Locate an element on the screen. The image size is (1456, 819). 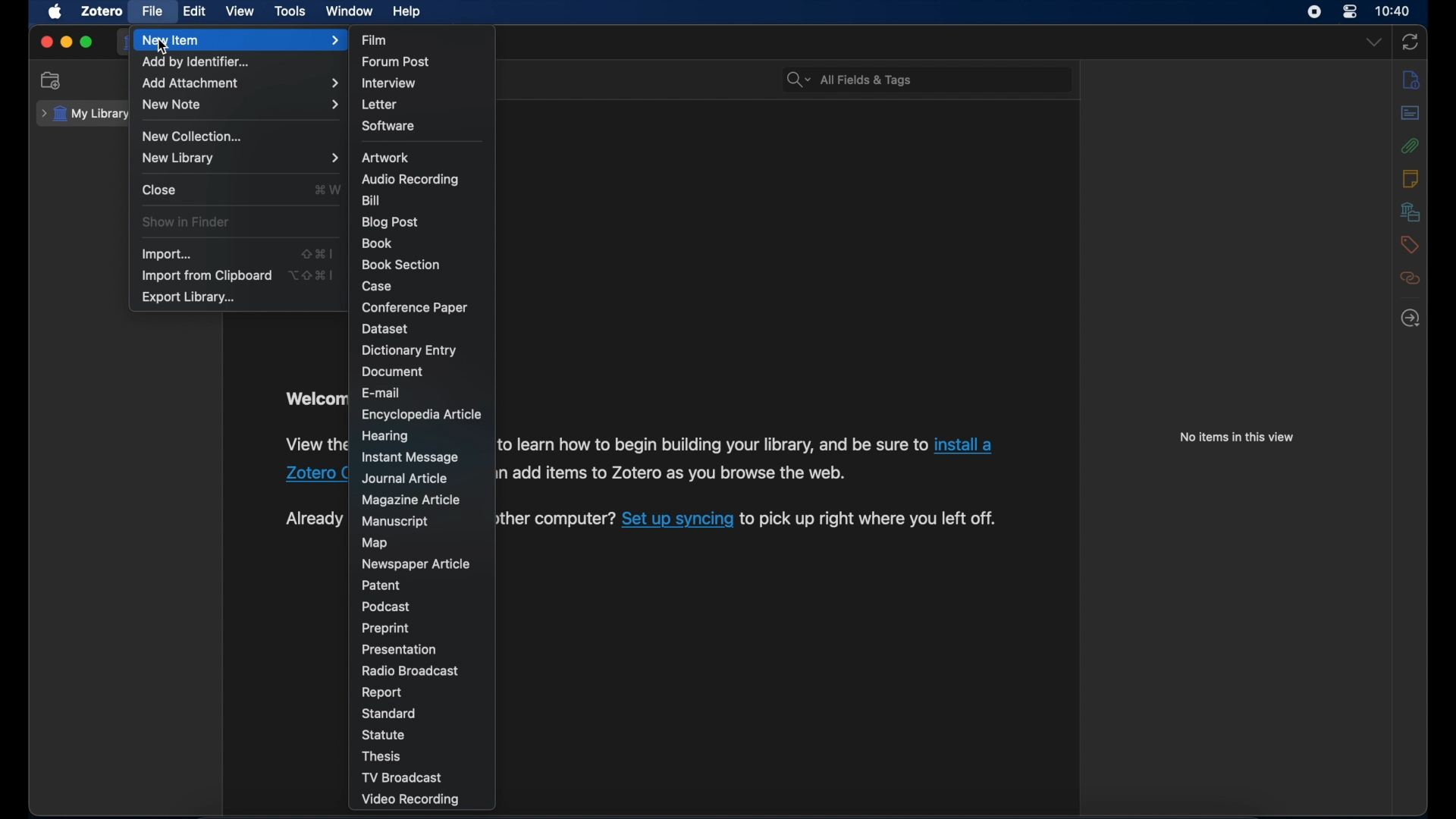
show in finder is located at coordinates (187, 222).